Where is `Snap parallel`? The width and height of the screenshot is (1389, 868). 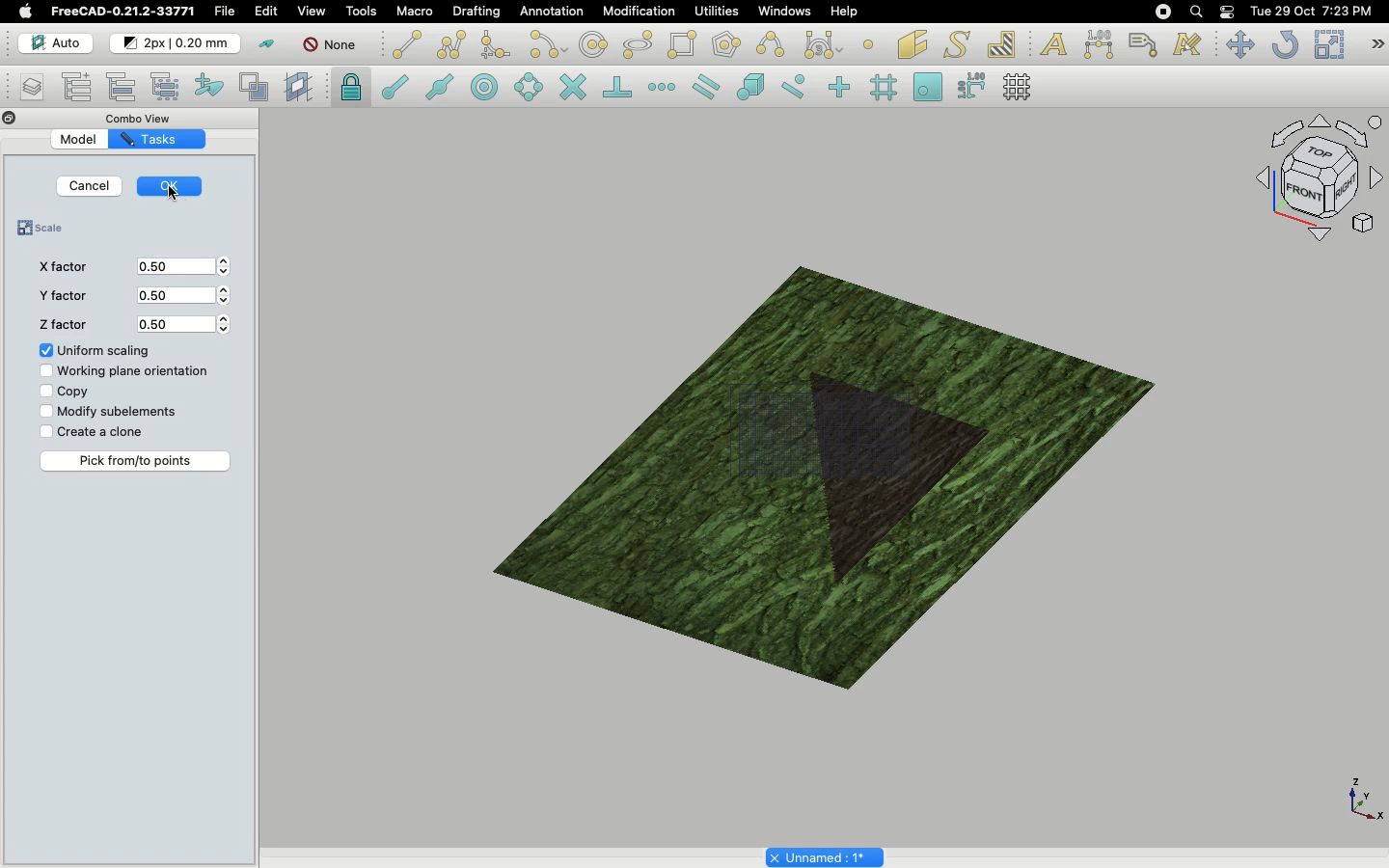
Snap parallel is located at coordinates (704, 87).